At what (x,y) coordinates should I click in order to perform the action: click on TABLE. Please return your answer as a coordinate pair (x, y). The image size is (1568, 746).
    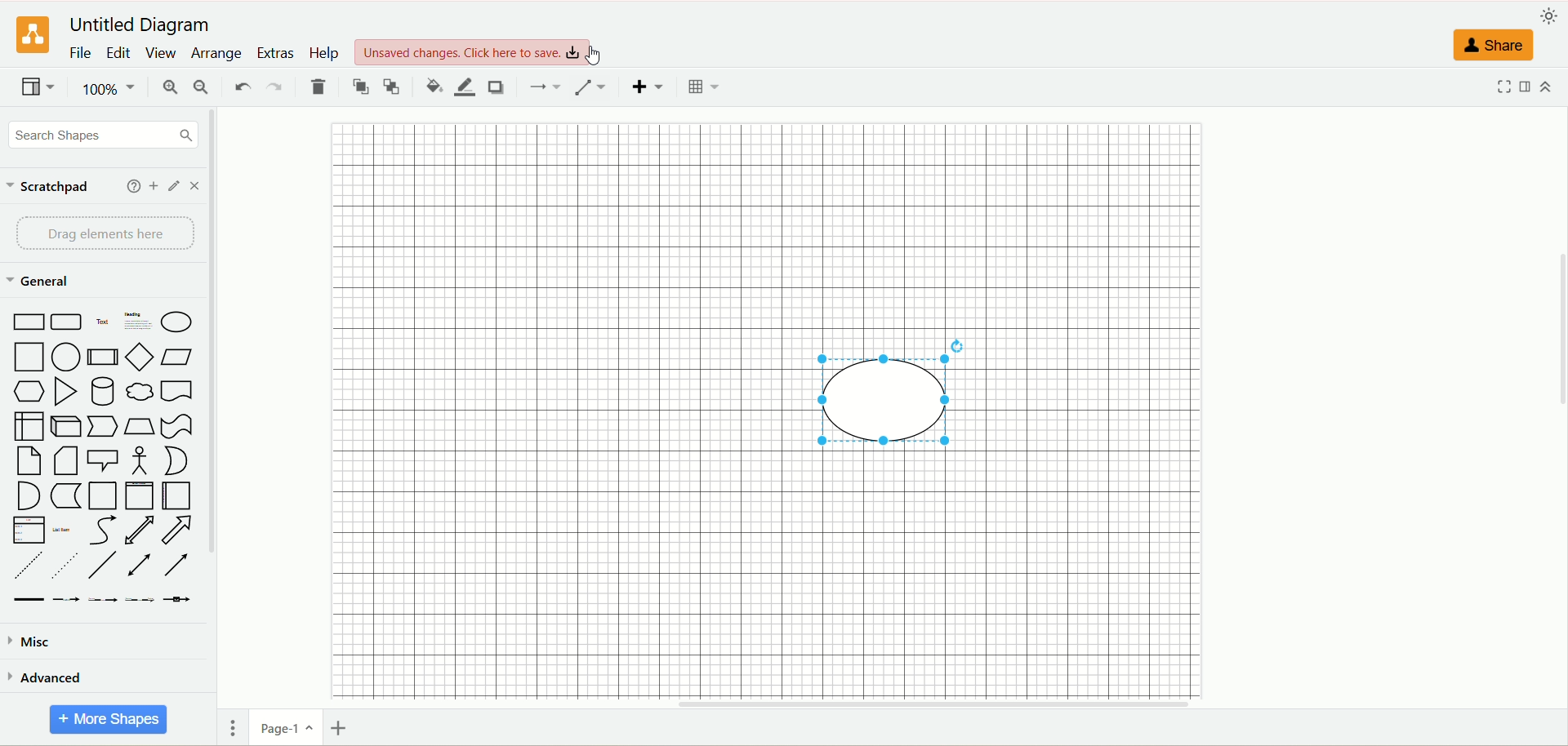
    Looking at the image, I should click on (704, 88).